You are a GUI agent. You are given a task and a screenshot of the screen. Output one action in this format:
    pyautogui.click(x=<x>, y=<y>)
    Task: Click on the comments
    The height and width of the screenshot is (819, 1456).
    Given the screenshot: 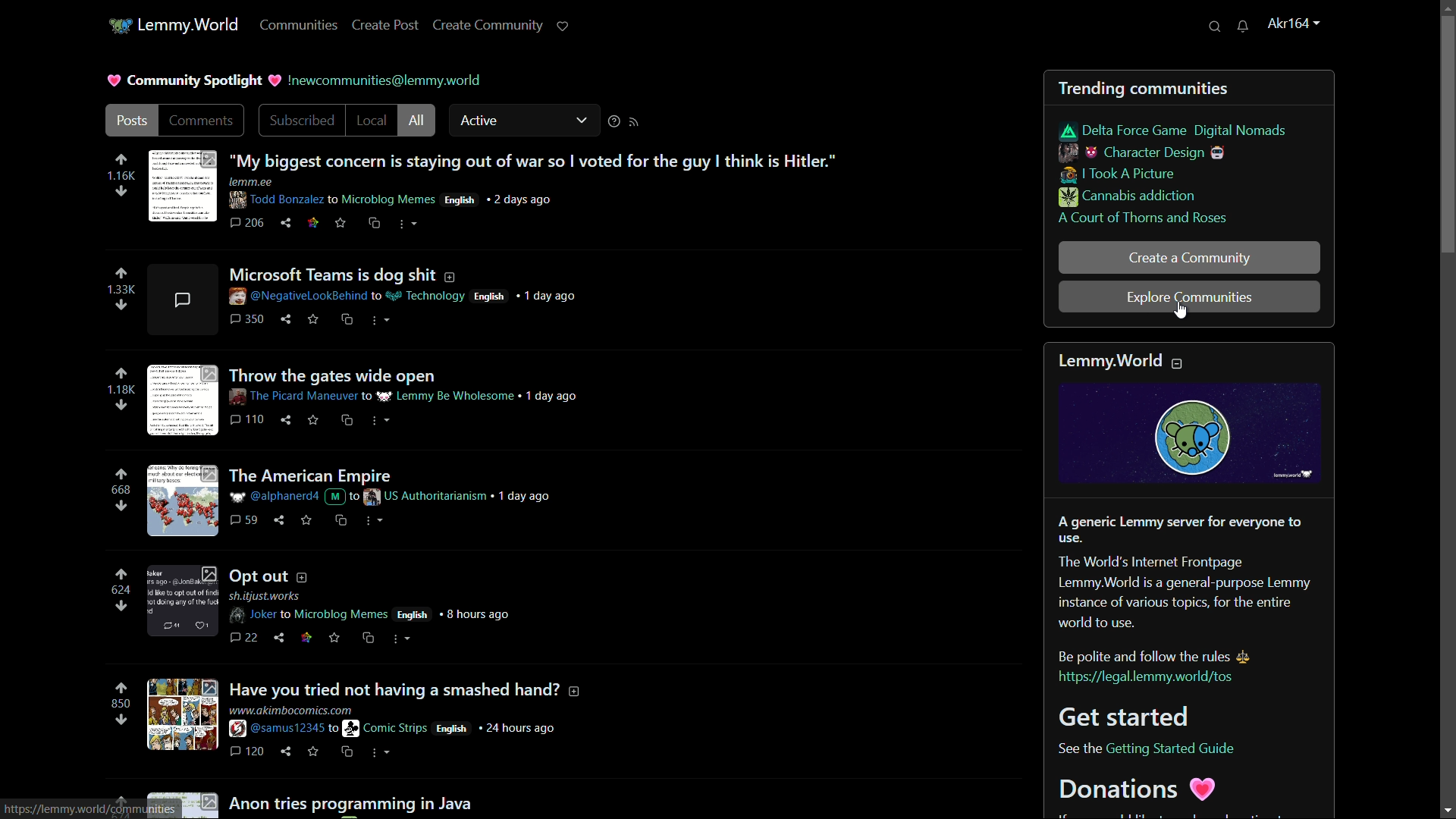 What is the action you would take?
    pyautogui.click(x=248, y=752)
    